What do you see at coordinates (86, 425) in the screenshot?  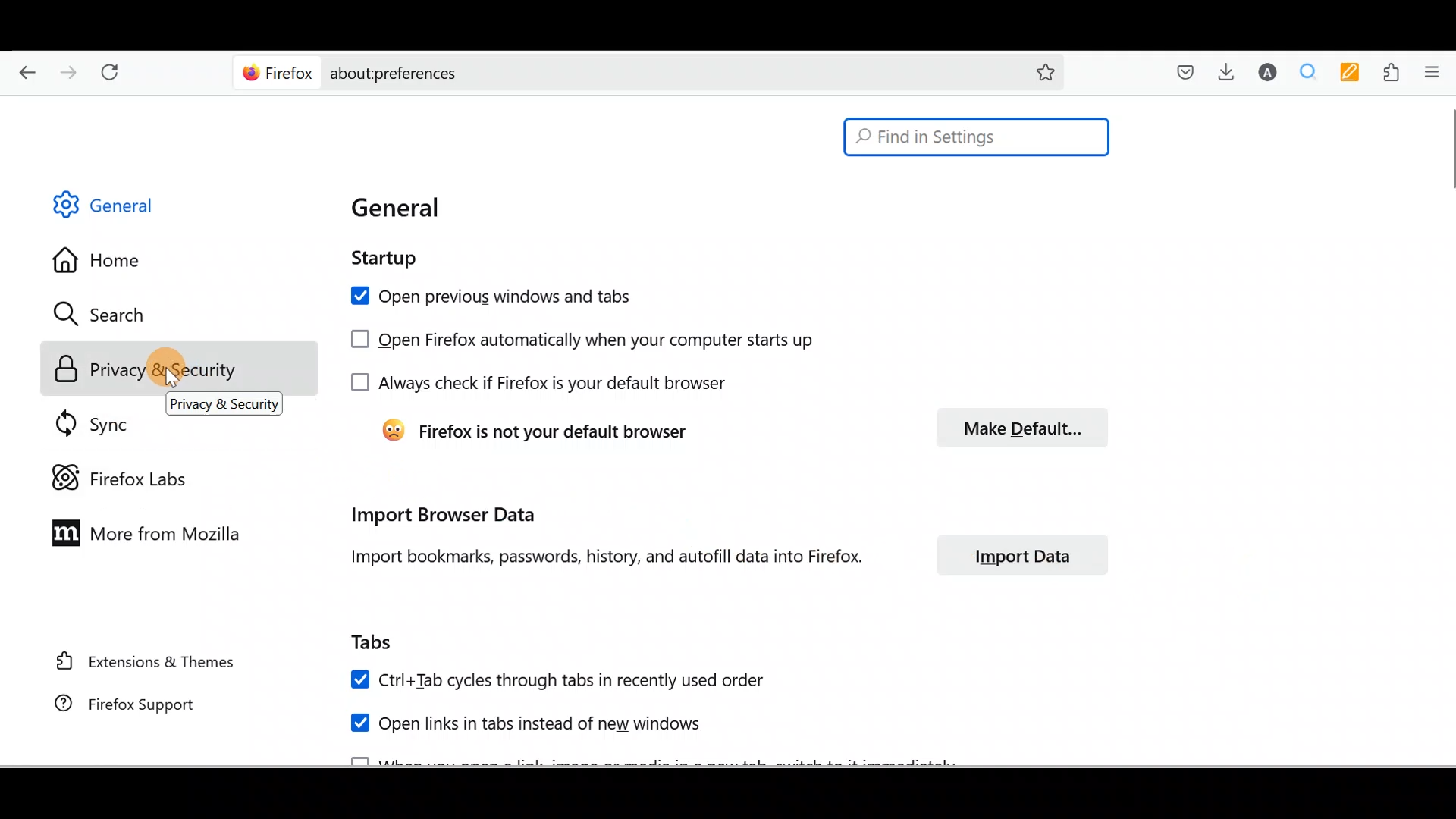 I see `Sync` at bounding box center [86, 425].